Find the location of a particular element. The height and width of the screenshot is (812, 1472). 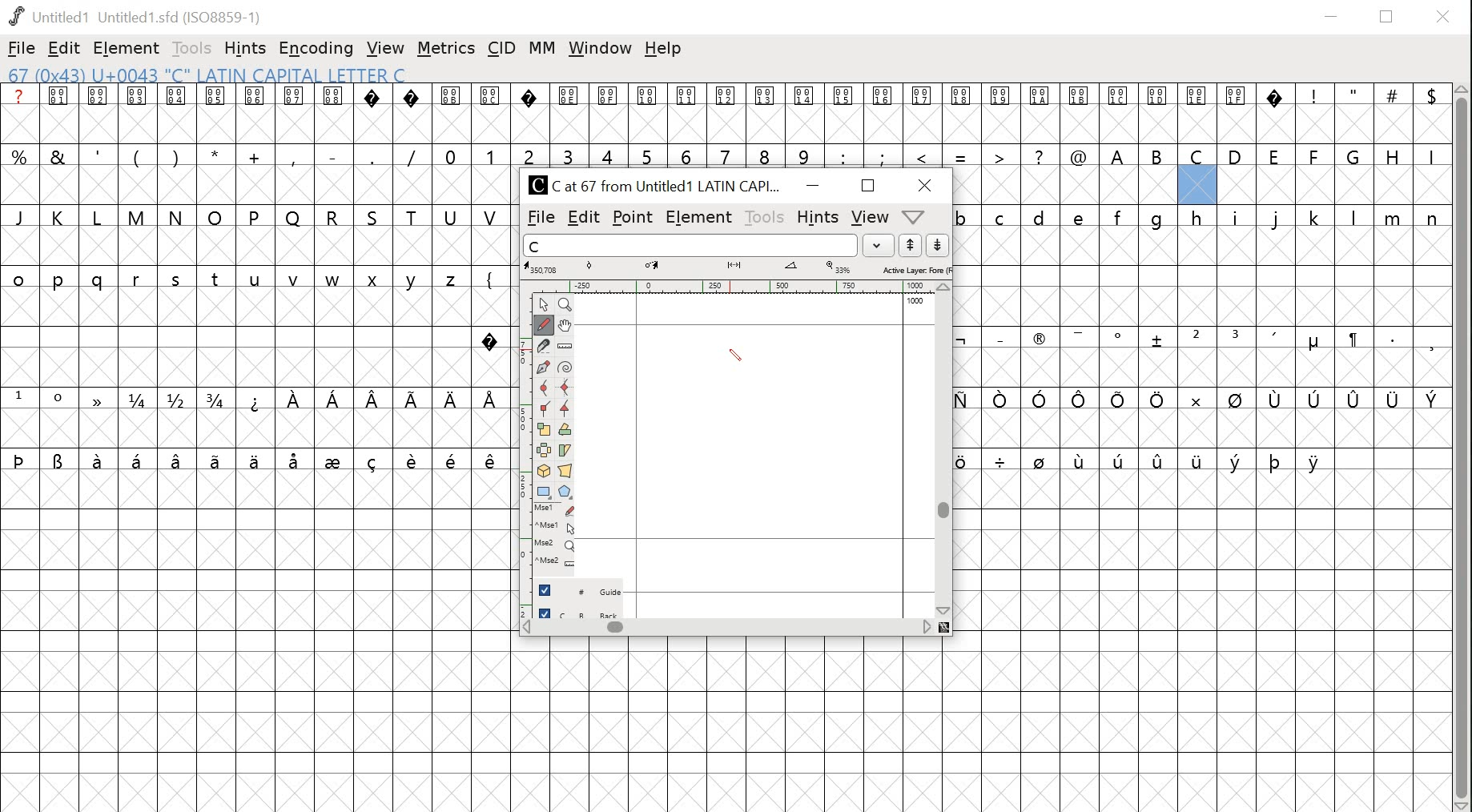

glyphs is located at coordinates (255, 283).